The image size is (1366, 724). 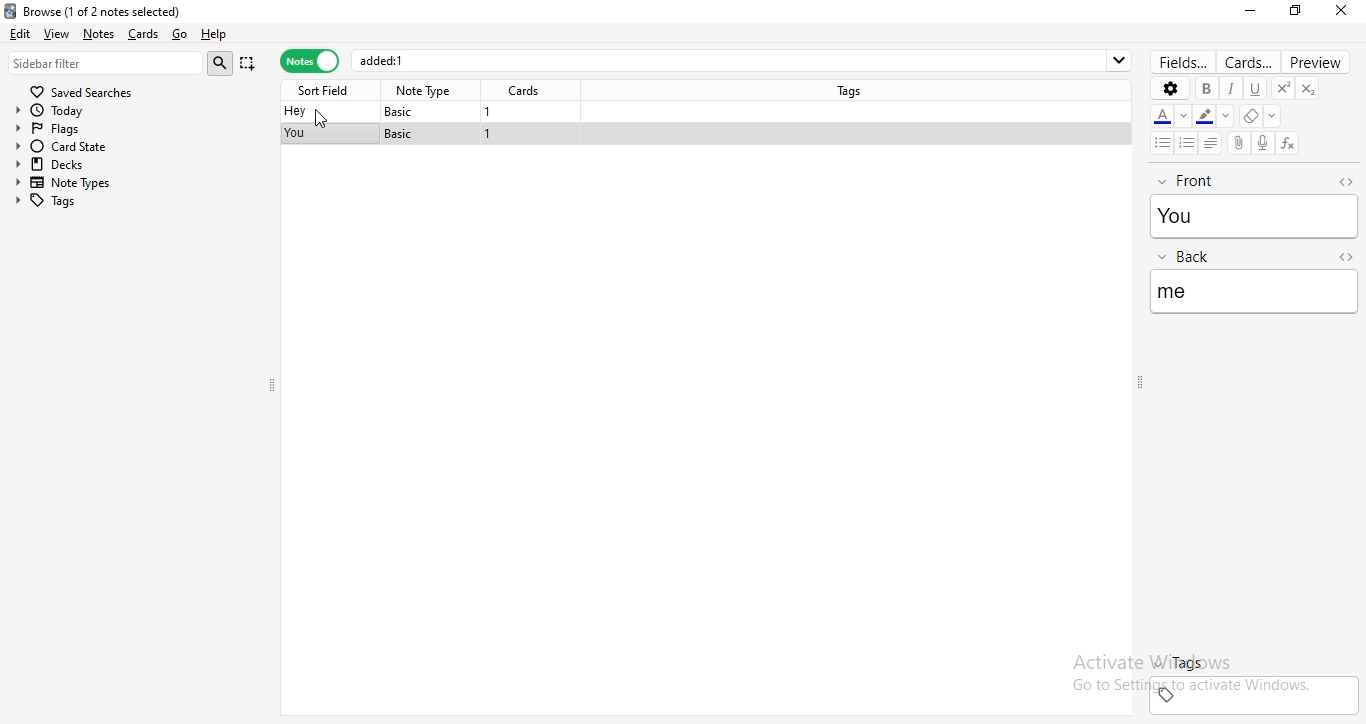 I want to click on cards, so click(x=1251, y=64).